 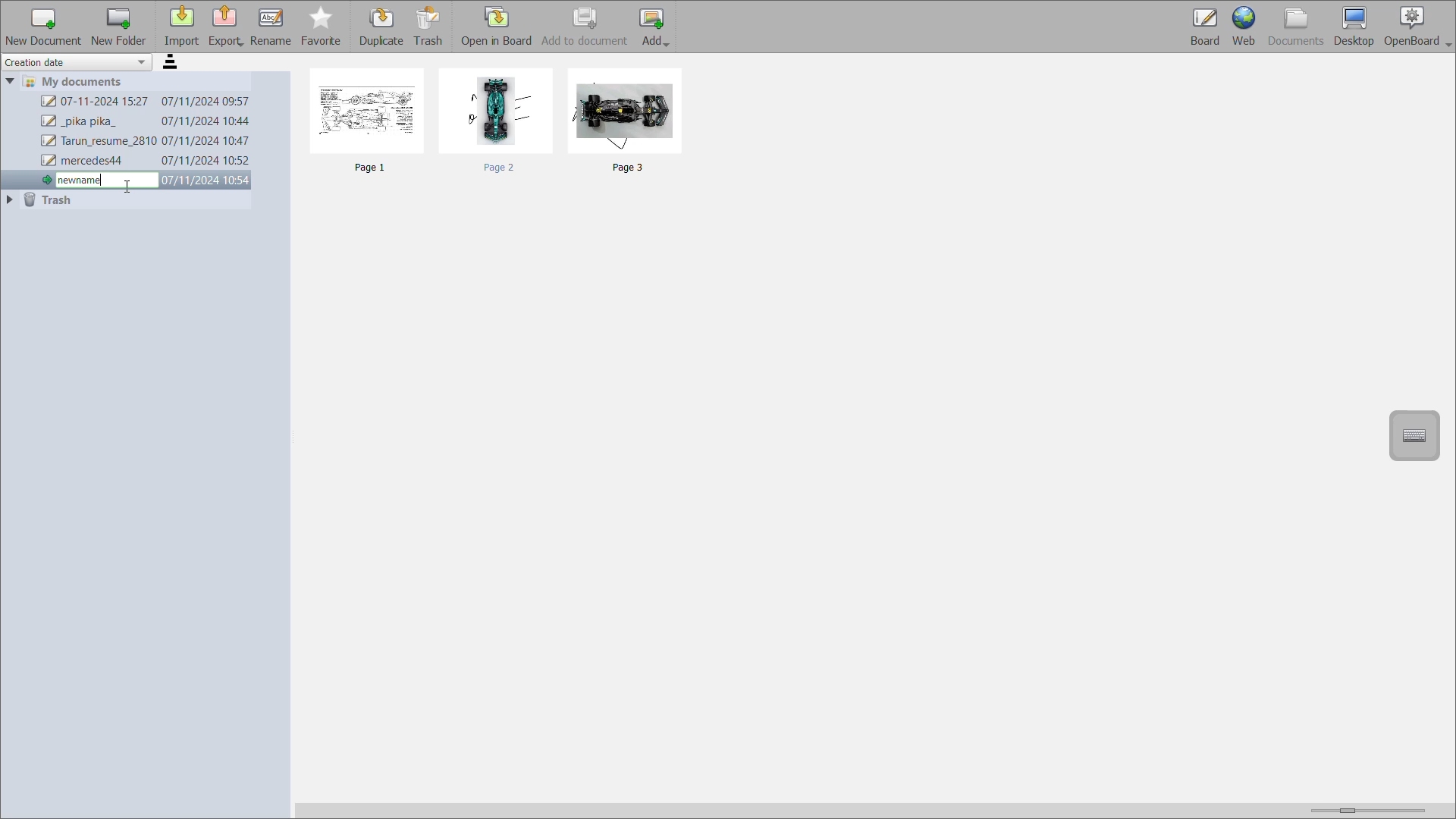 I want to click on creation date, so click(x=78, y=62).